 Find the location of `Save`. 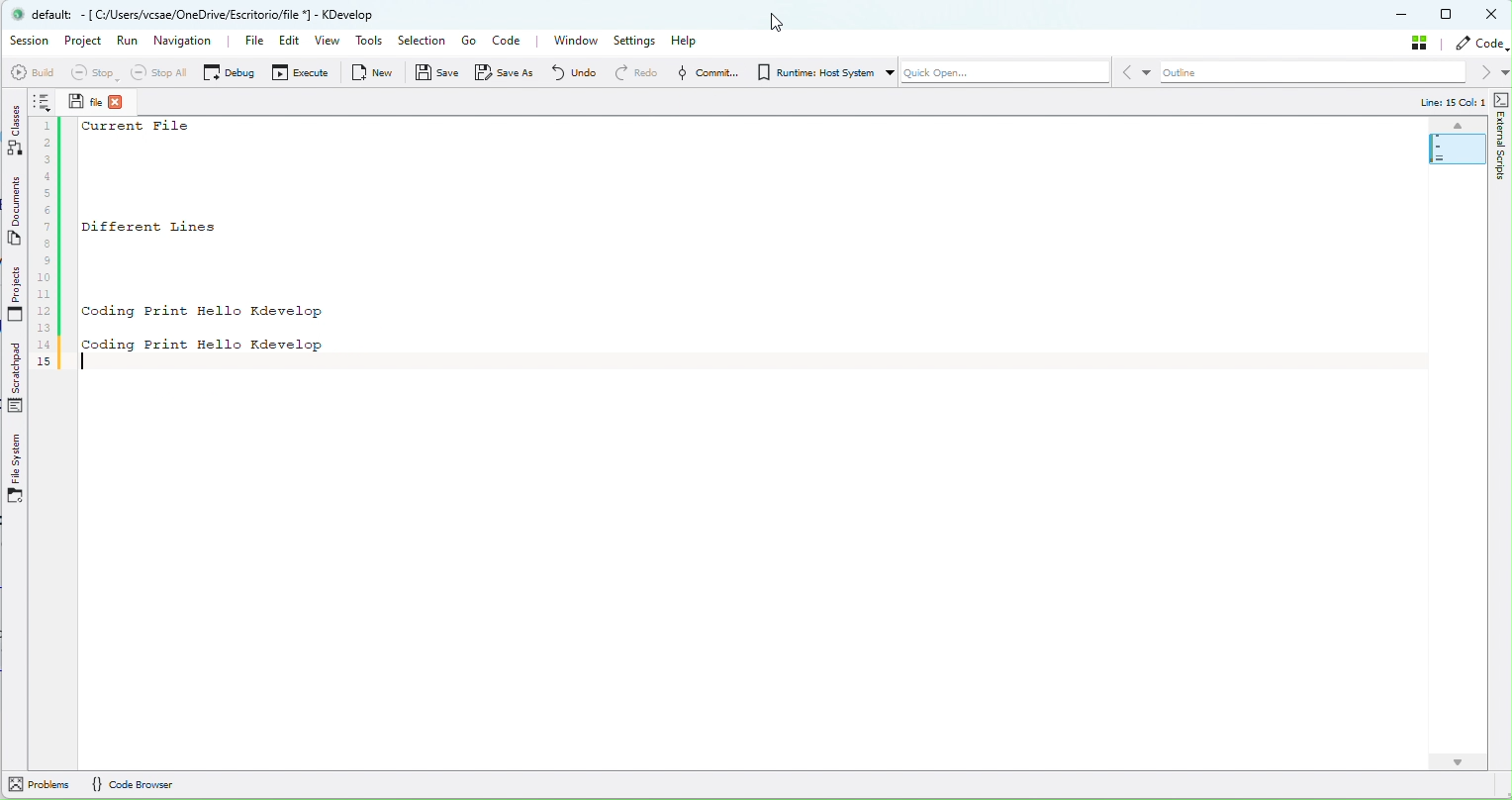

Save is located at coordinates (74, 100).